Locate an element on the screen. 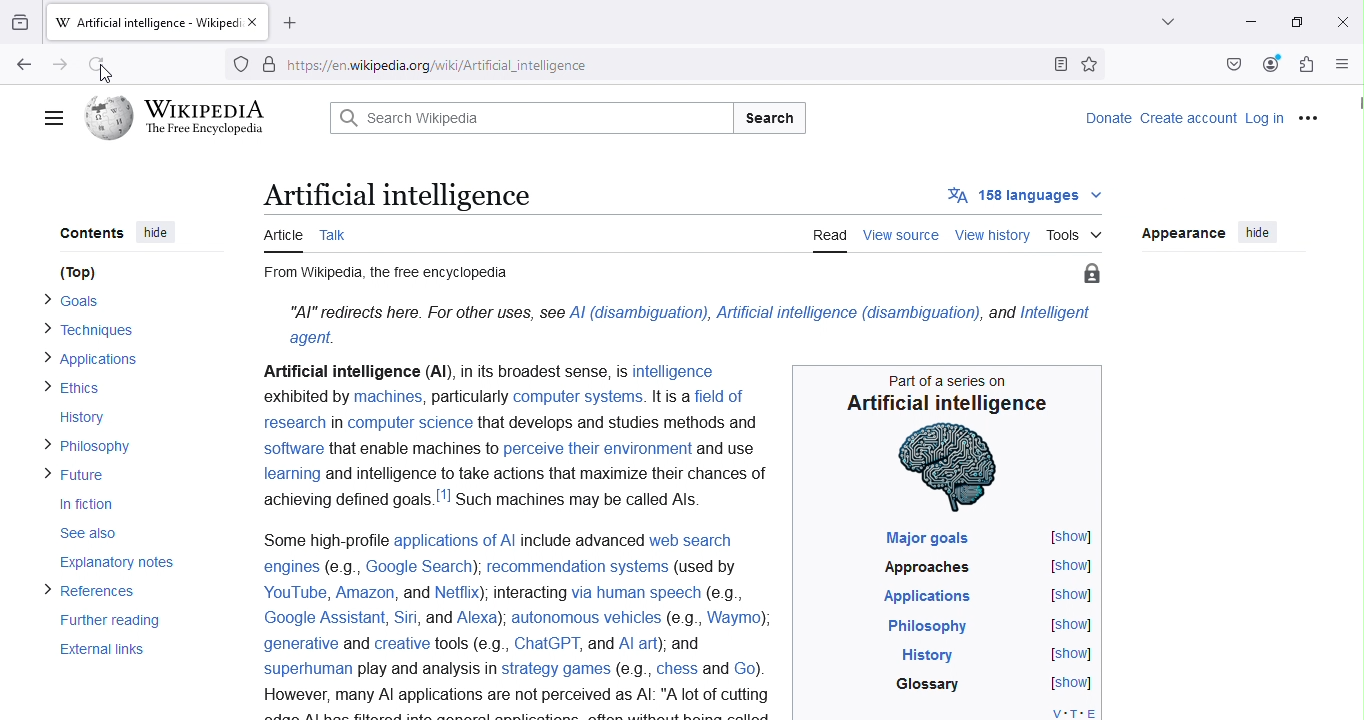 This screenshot has height=720, width=1364. It is a is located at coordinates (669, 399).